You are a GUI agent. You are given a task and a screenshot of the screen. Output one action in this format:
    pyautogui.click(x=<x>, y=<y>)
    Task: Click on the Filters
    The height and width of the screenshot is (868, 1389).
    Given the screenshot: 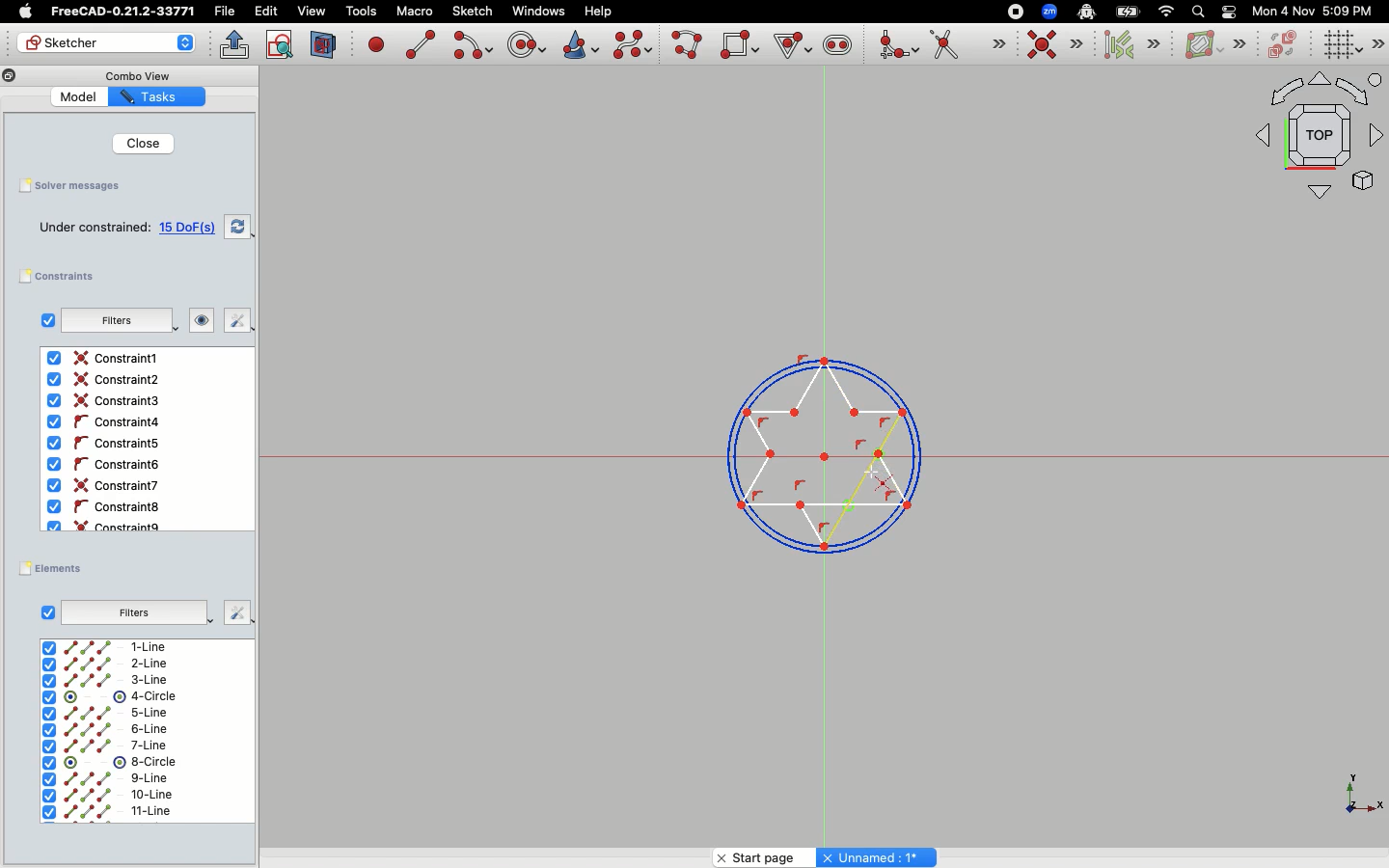 What is the action you would take?
    pyautogui.click(x=133, y=610)
    